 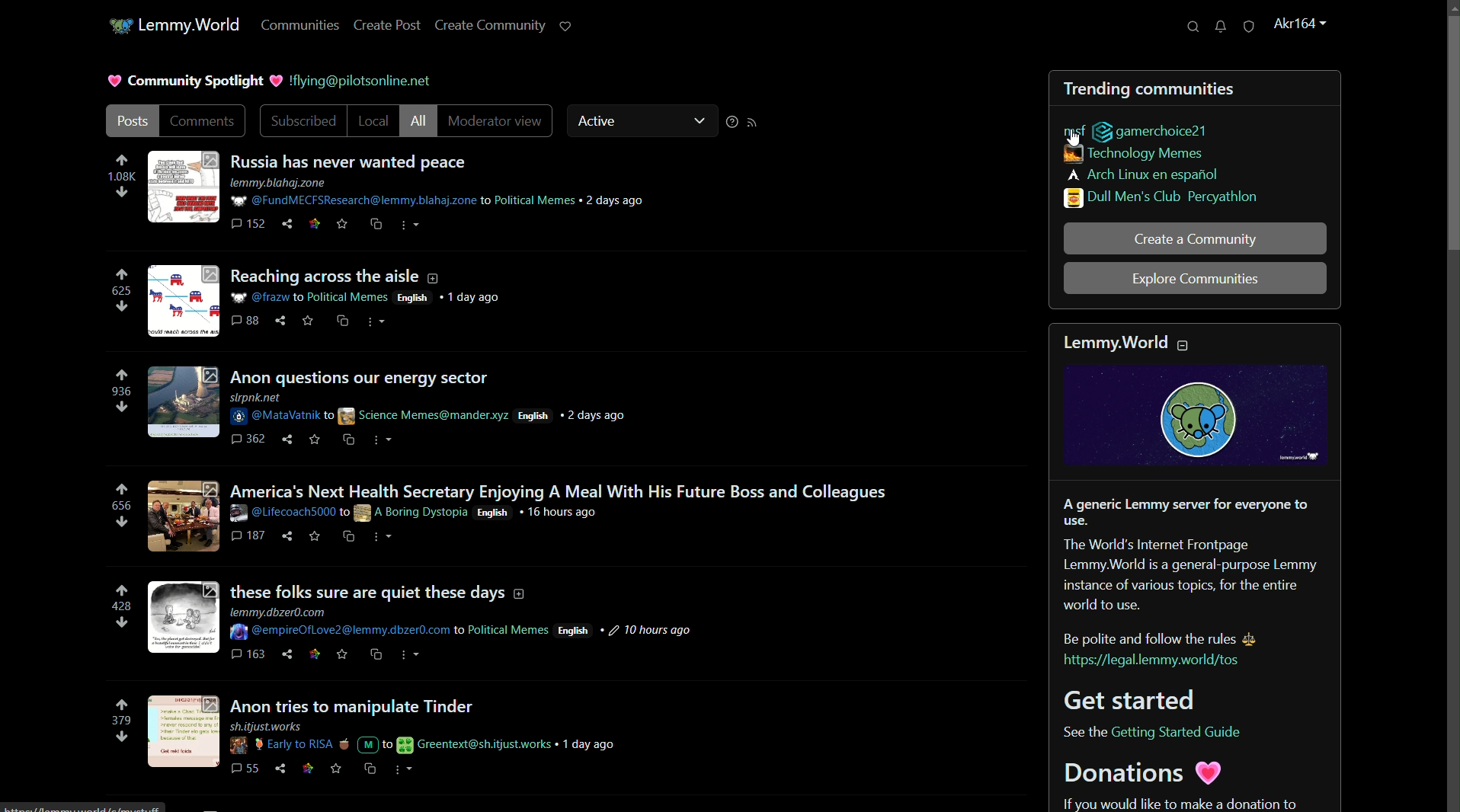 I want to click on more, so click(x=381, y=439).